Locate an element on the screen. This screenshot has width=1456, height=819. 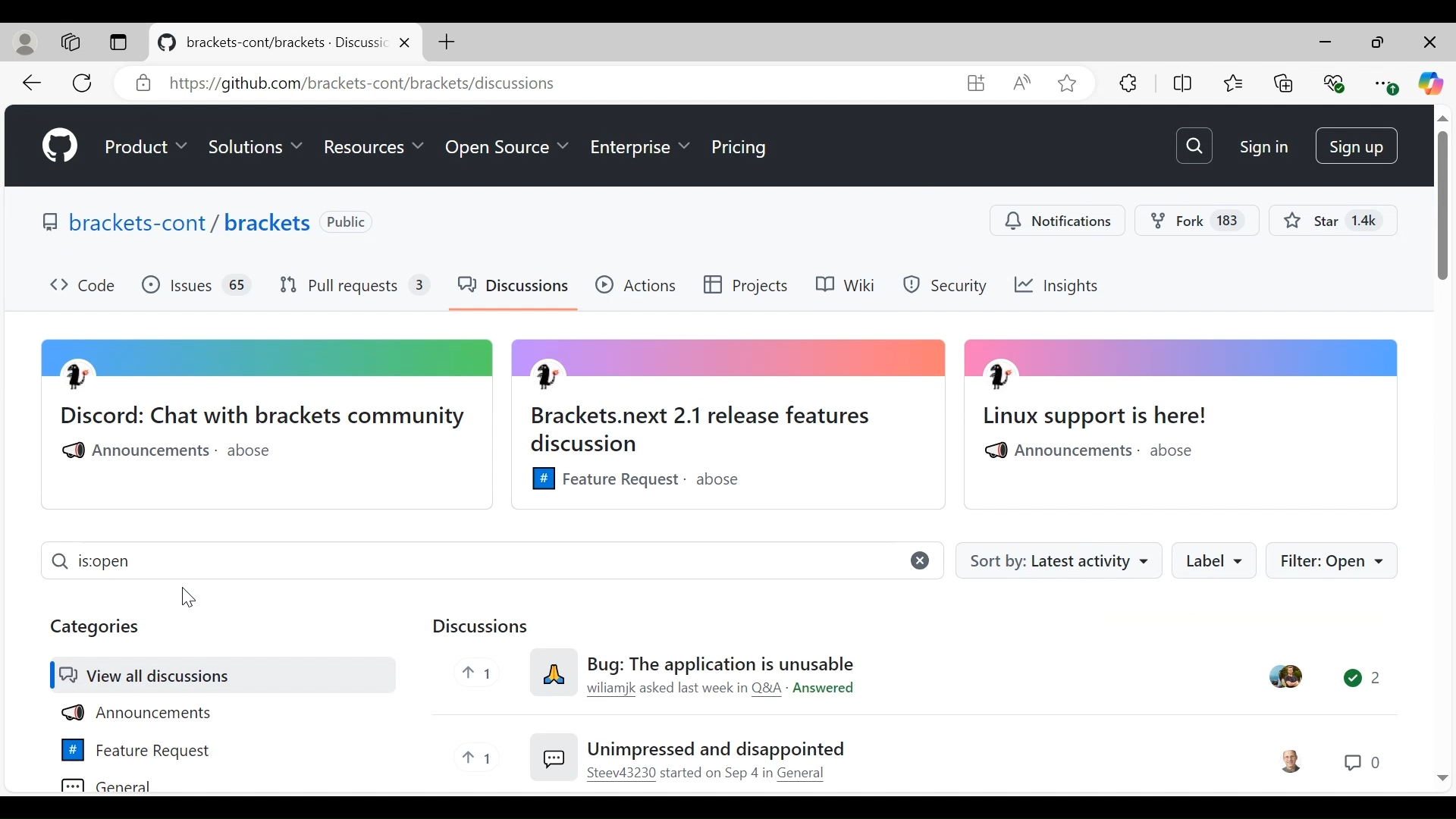
Read aloud this page is located at coordinates (1021, 82).